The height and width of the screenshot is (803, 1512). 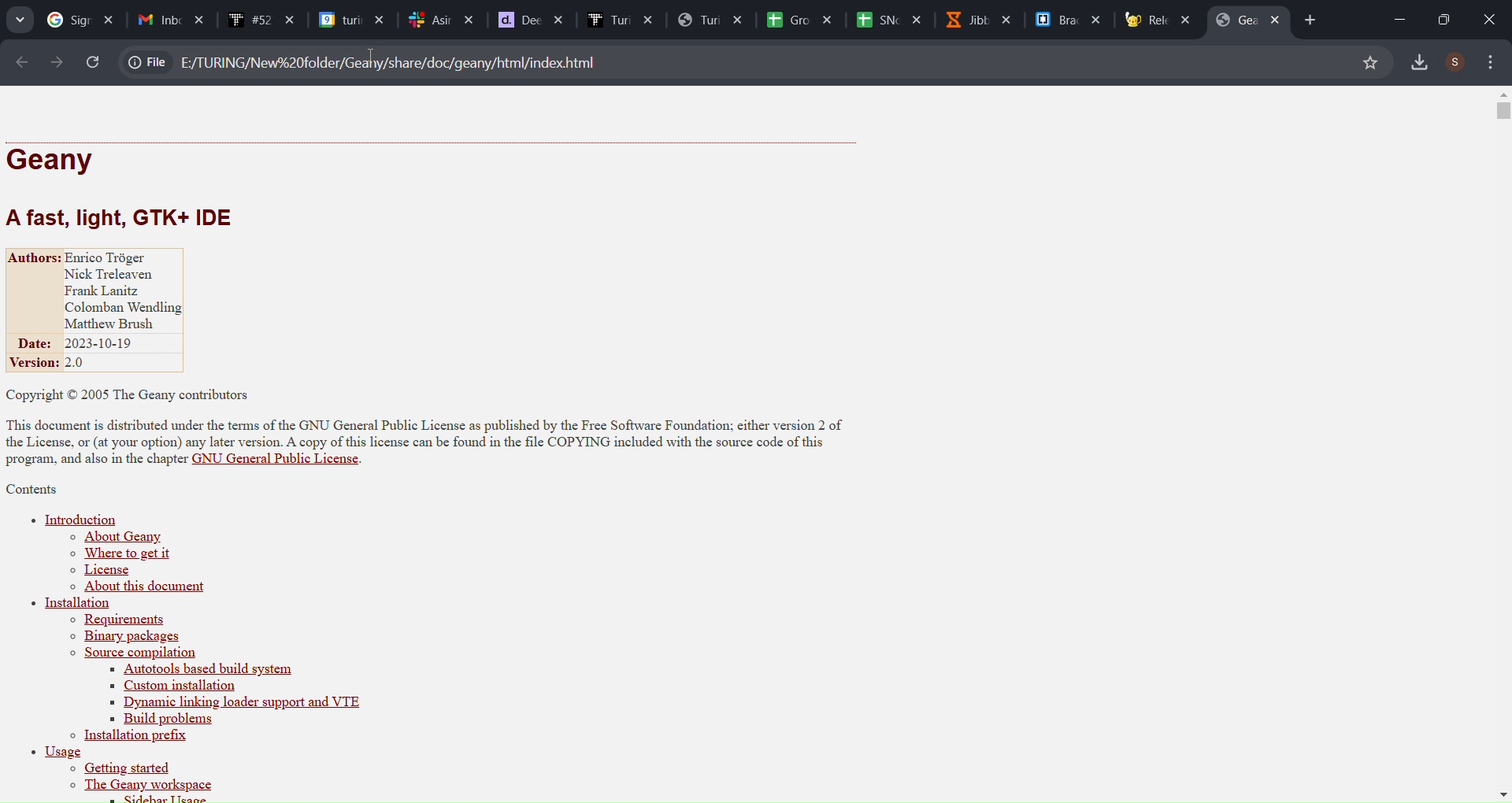 I want to click on about geany, so click(x=120, y=537).